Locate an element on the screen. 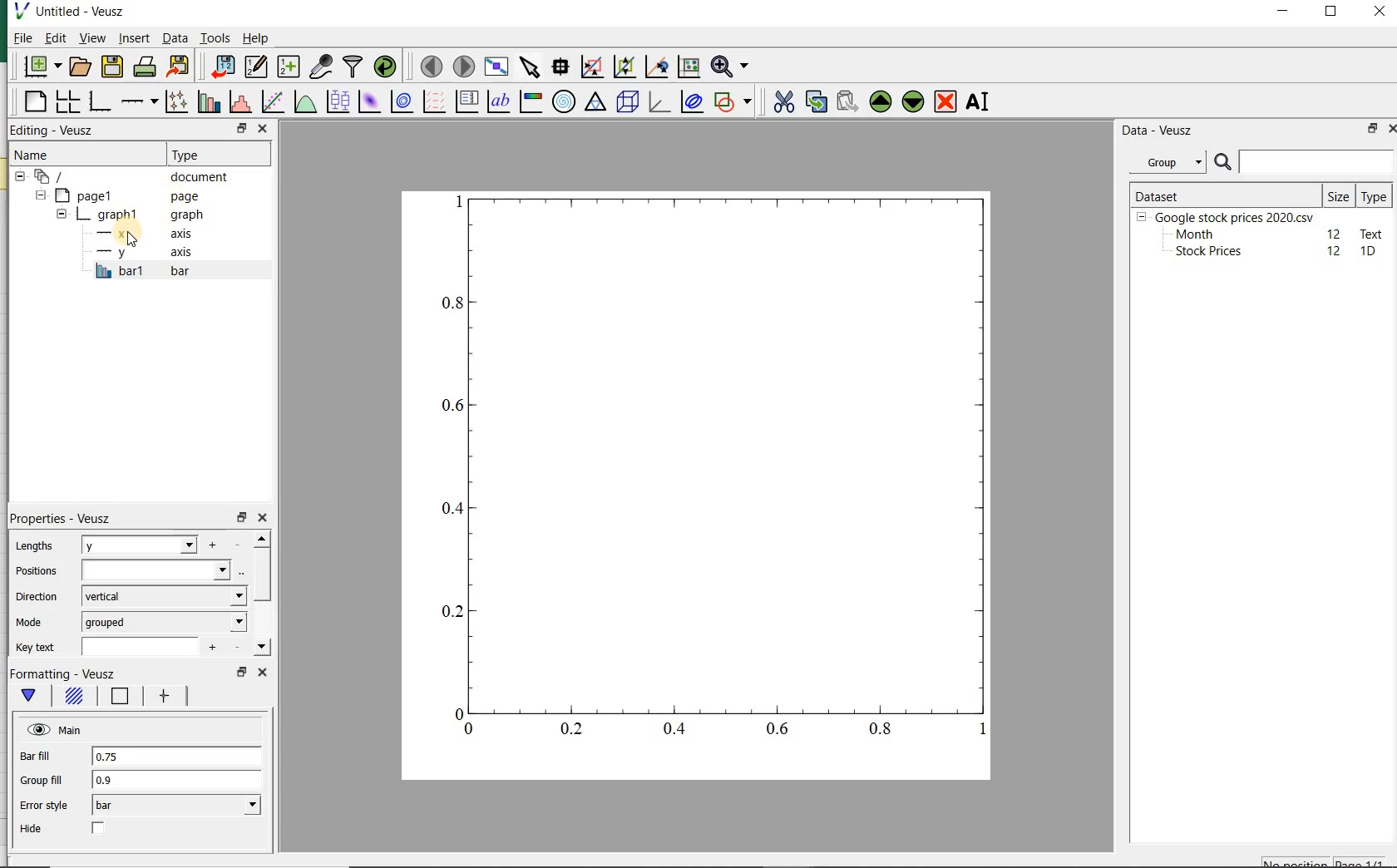 The width and height of the screenshot is (1397, 868). minimize is located at coordinates (1284, 12).